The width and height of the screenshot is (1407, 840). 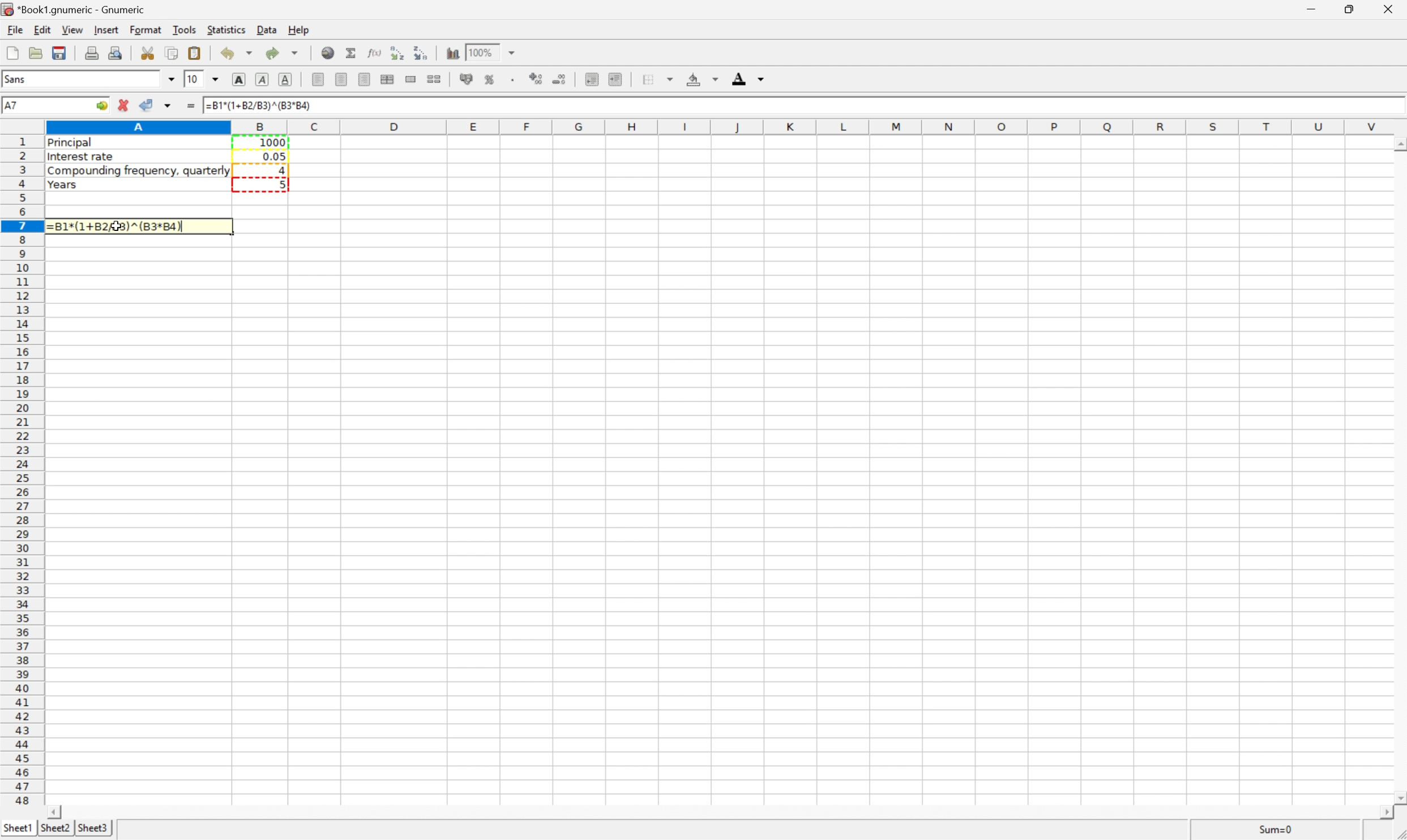 What do you see at coordinates (93, 827) in the screenshot?
I see `sheet3` at bounding box center [93, 827].